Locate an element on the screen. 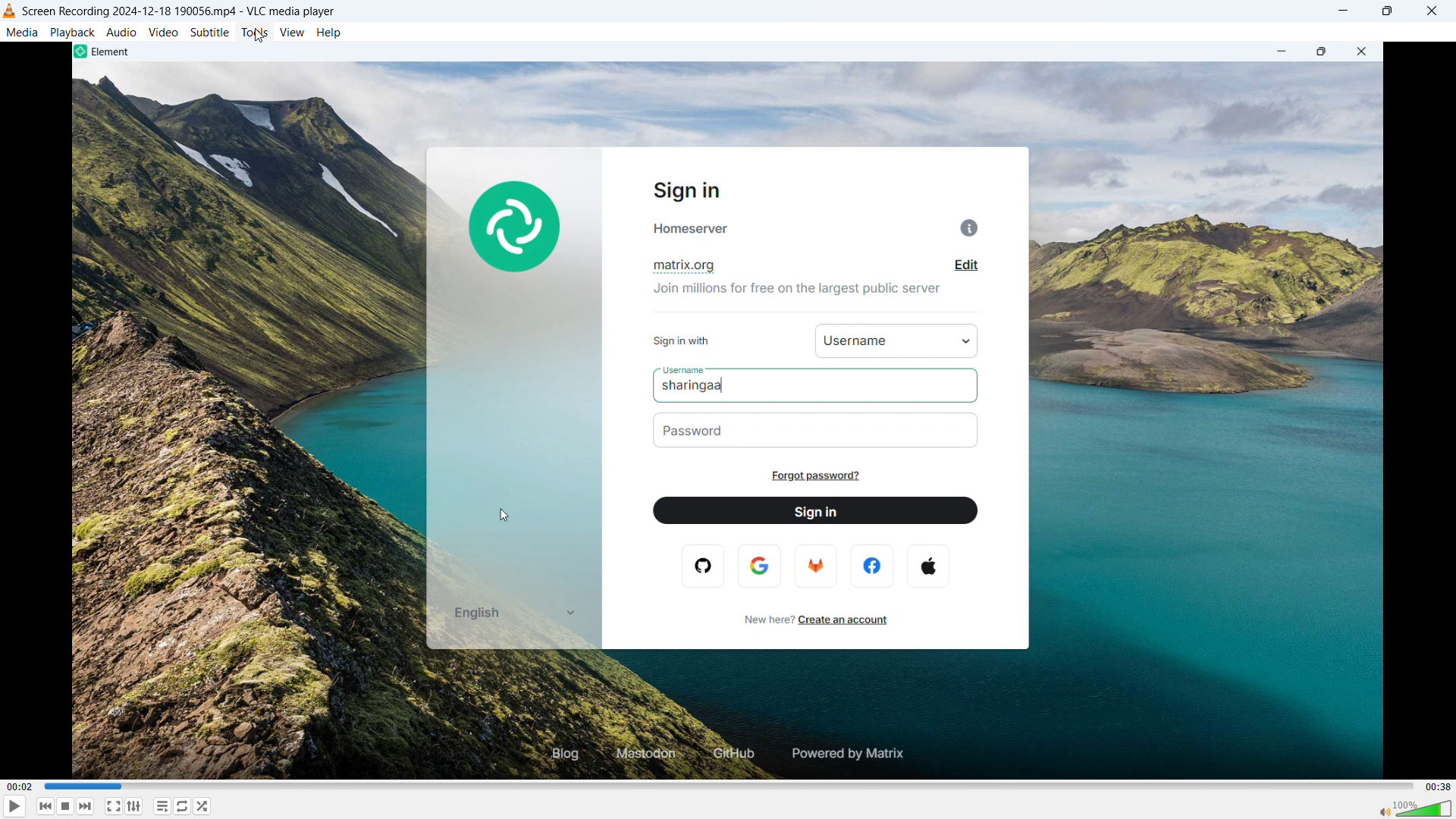 This screenshot has height=819, width=1456. maximize is located at coordinates (1388, 11).